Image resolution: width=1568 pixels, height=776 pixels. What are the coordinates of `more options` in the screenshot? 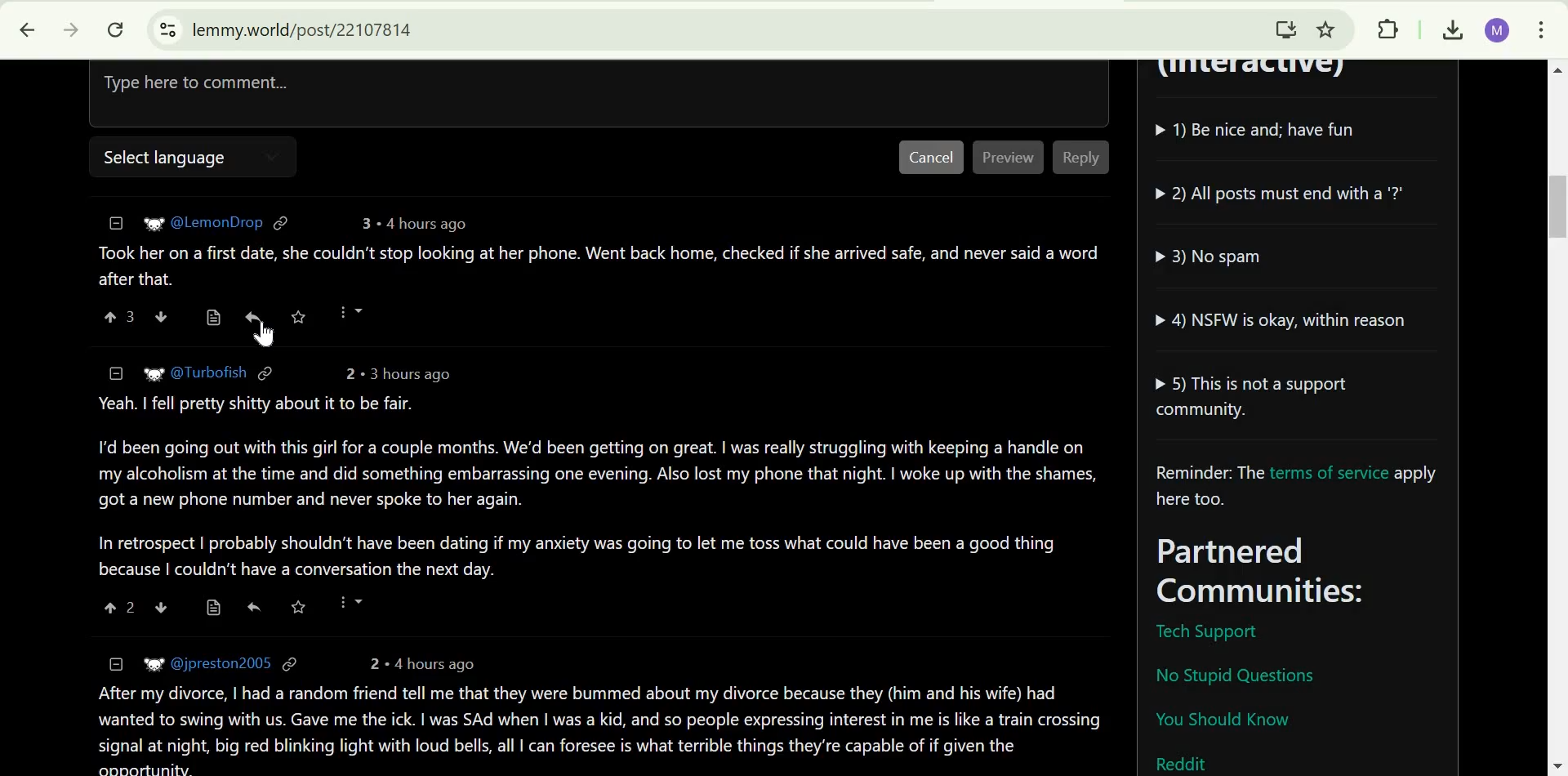 It's located at (351, 602).